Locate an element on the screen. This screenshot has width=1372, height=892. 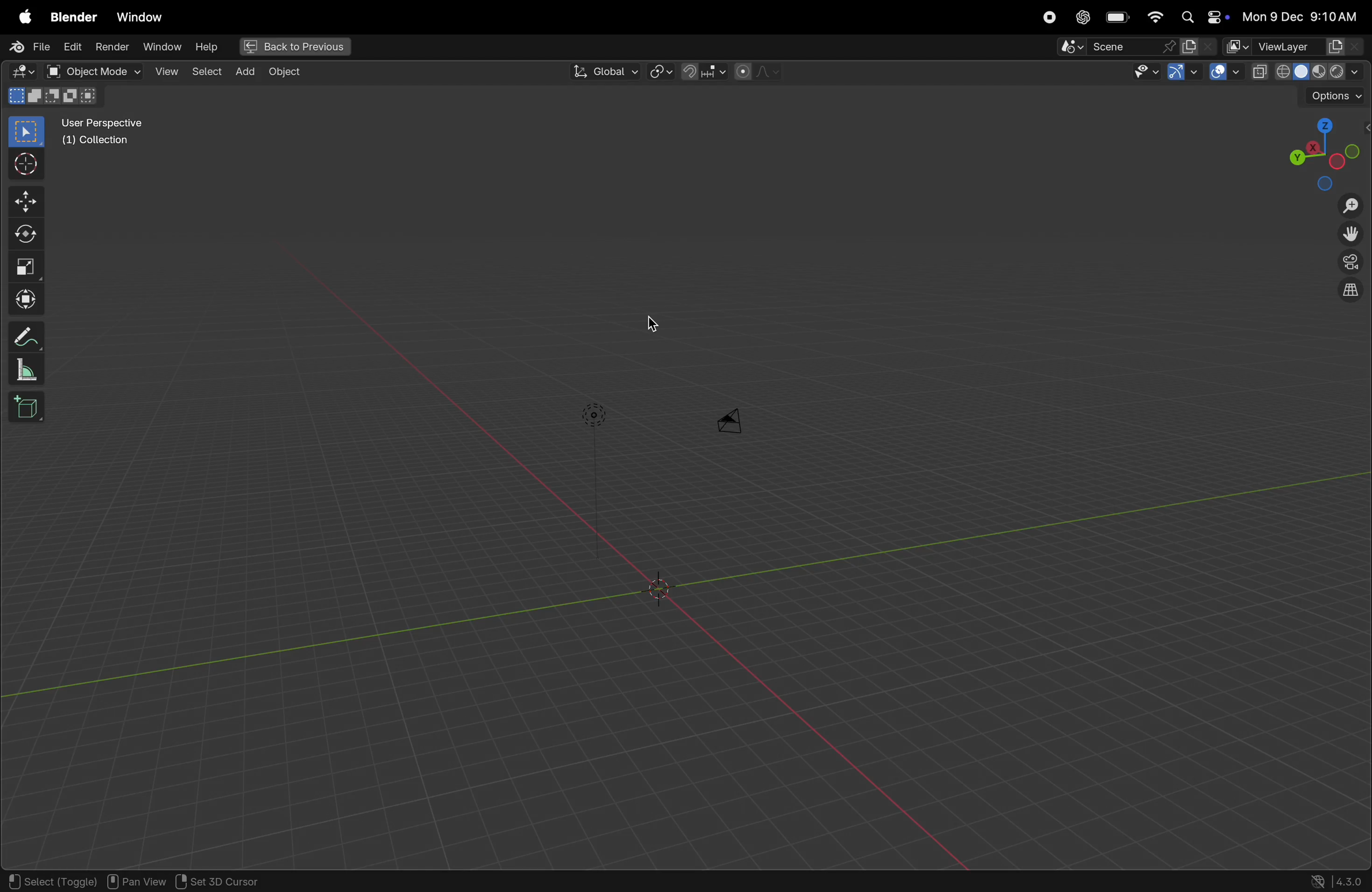
lights is located at coordinates (594, 415).